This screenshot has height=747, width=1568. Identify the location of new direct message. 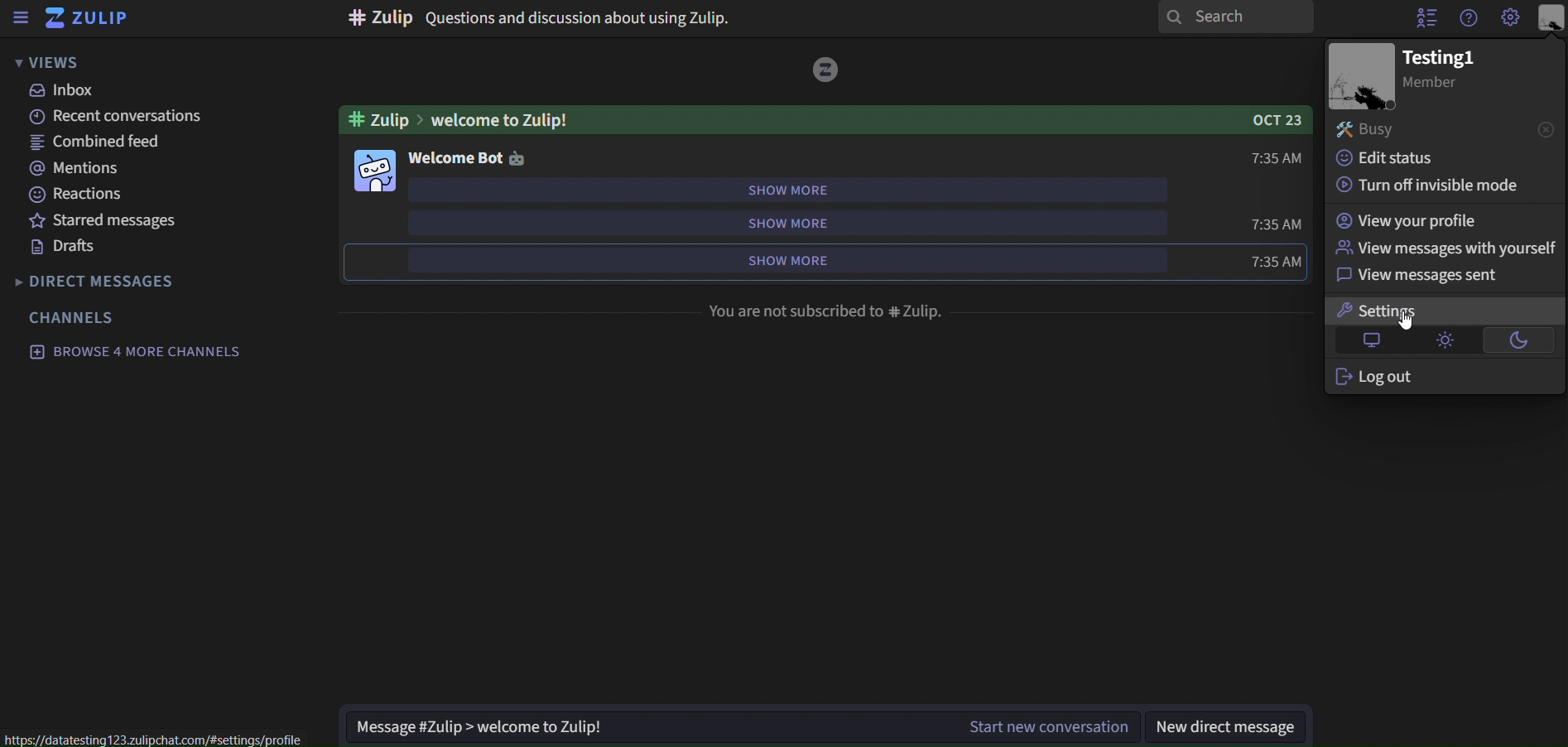
(1230, 730).